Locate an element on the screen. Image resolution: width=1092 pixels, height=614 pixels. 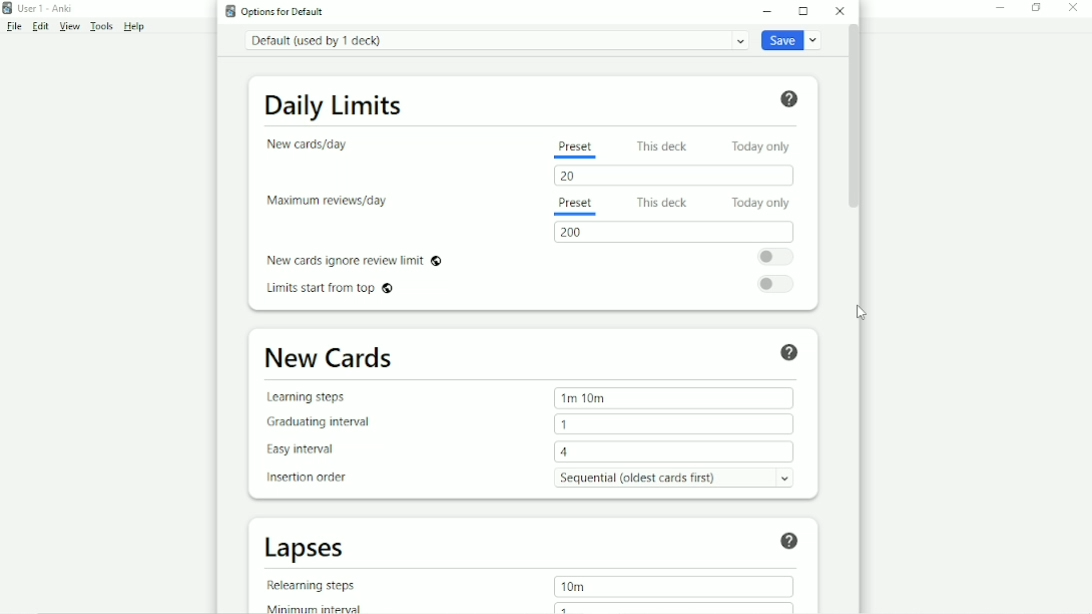
Today only is located at coordinates (759, 203).